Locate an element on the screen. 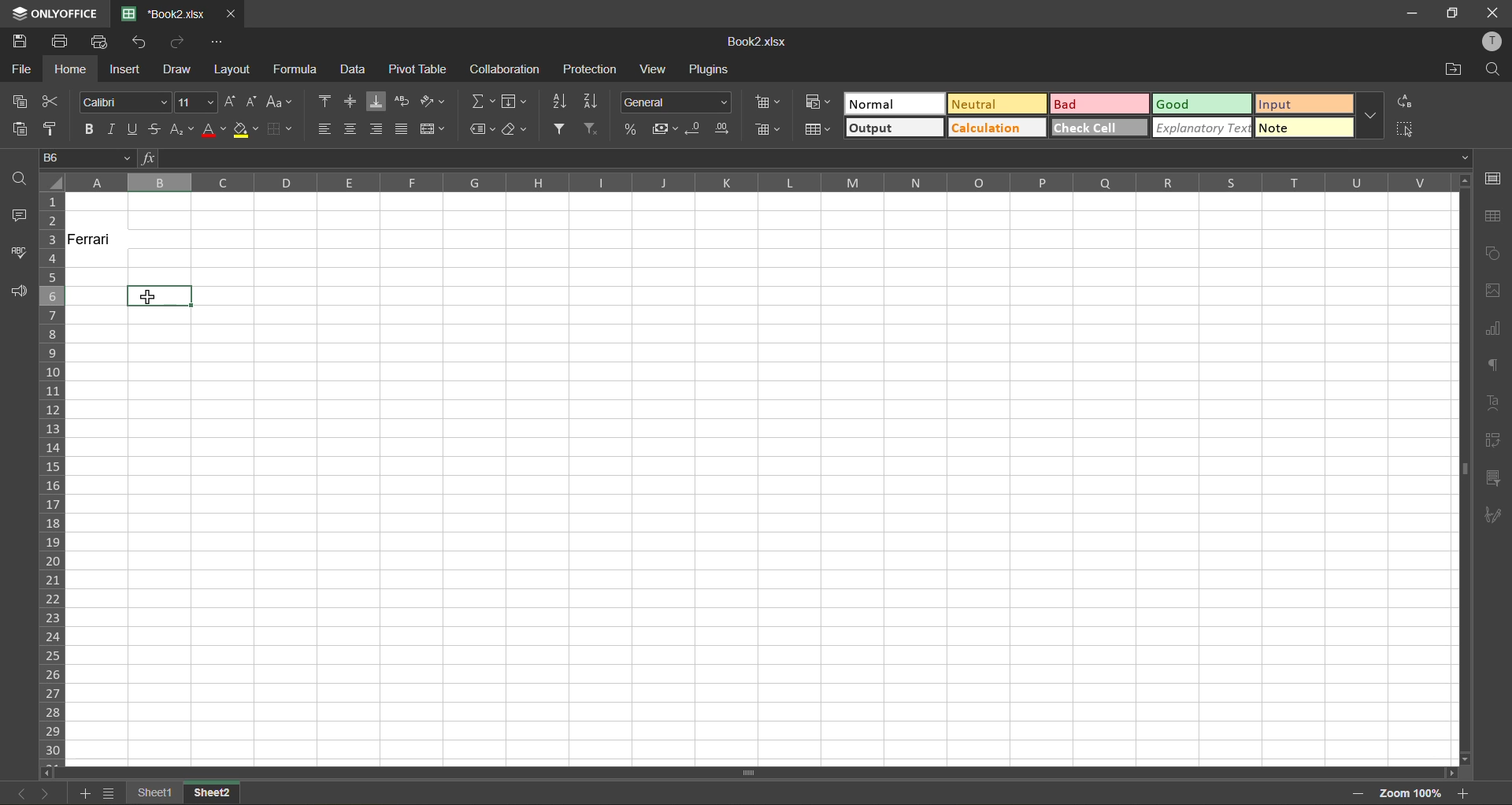 This screenshot has width=1512, height=805. file name is located at coordinates (754, 42).